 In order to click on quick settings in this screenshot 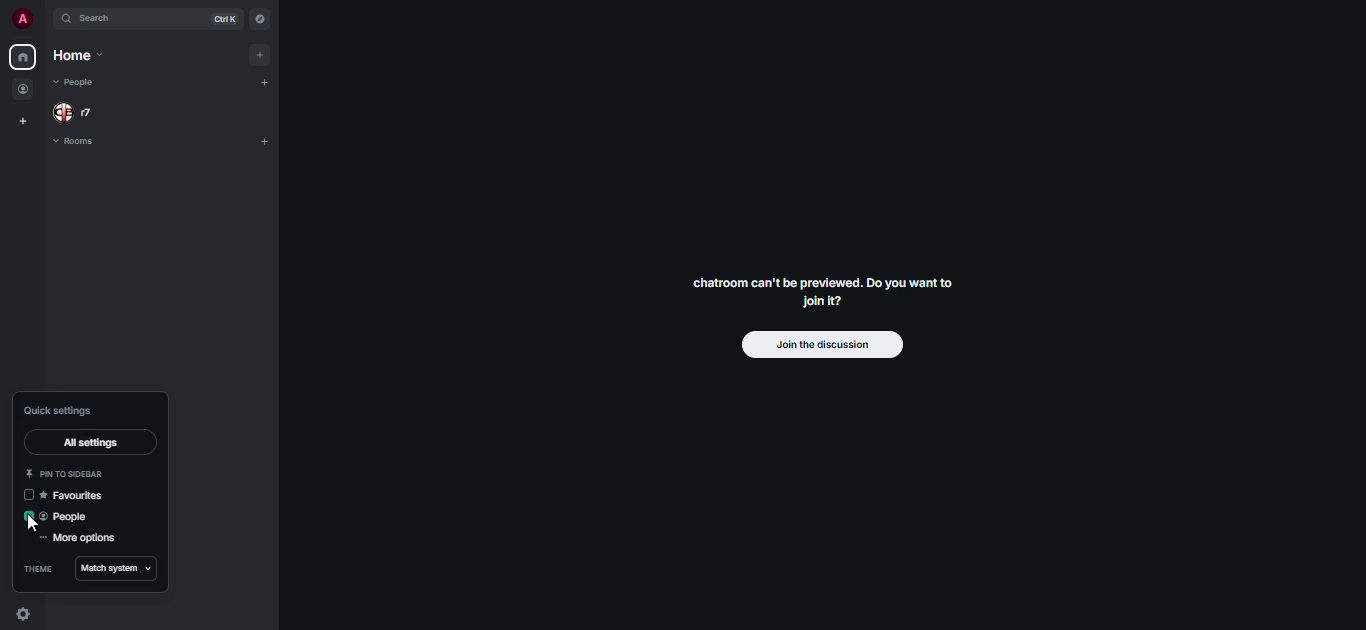, I will do `click(74, 615)`.